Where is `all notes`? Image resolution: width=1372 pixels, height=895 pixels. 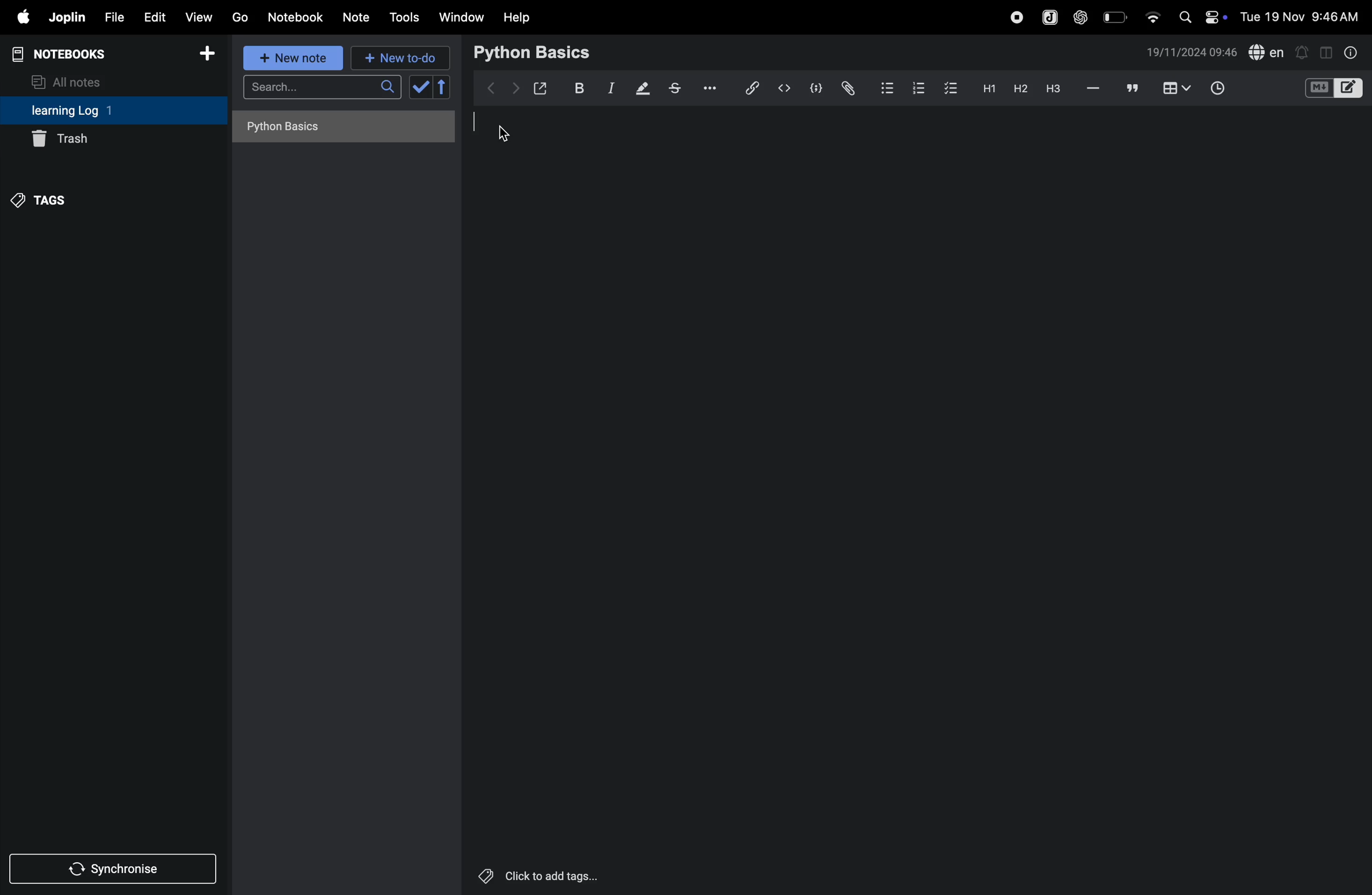
all notes is located at coordinates (73, 81).